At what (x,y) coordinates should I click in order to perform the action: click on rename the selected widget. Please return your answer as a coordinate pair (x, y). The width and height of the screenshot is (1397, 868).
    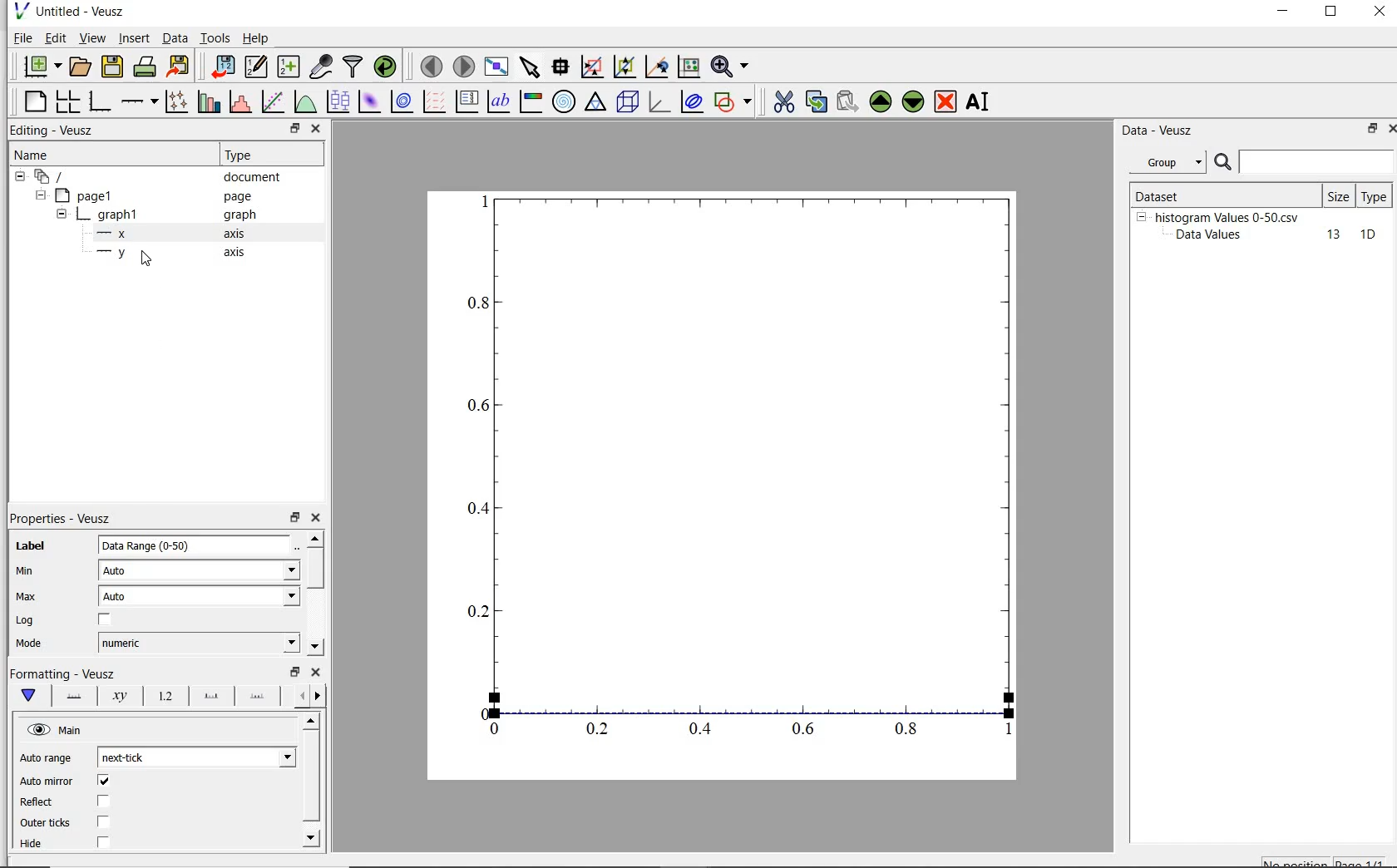
    Looking at the image, I should click on (980, 101).